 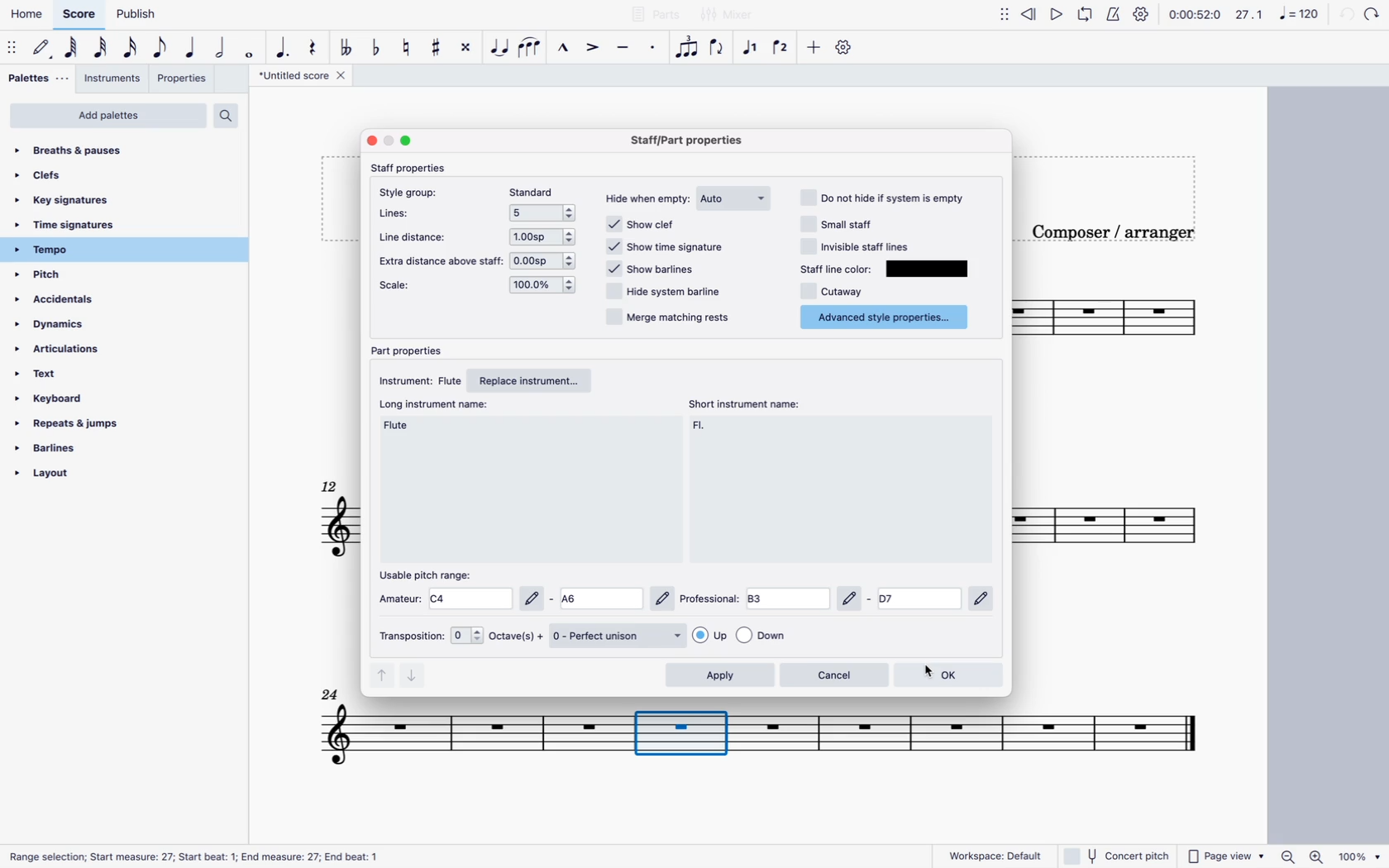 What do you see at coordinates (1143, 16) in the screenshot?
I see `settings` at bounding box center [1143, 16].